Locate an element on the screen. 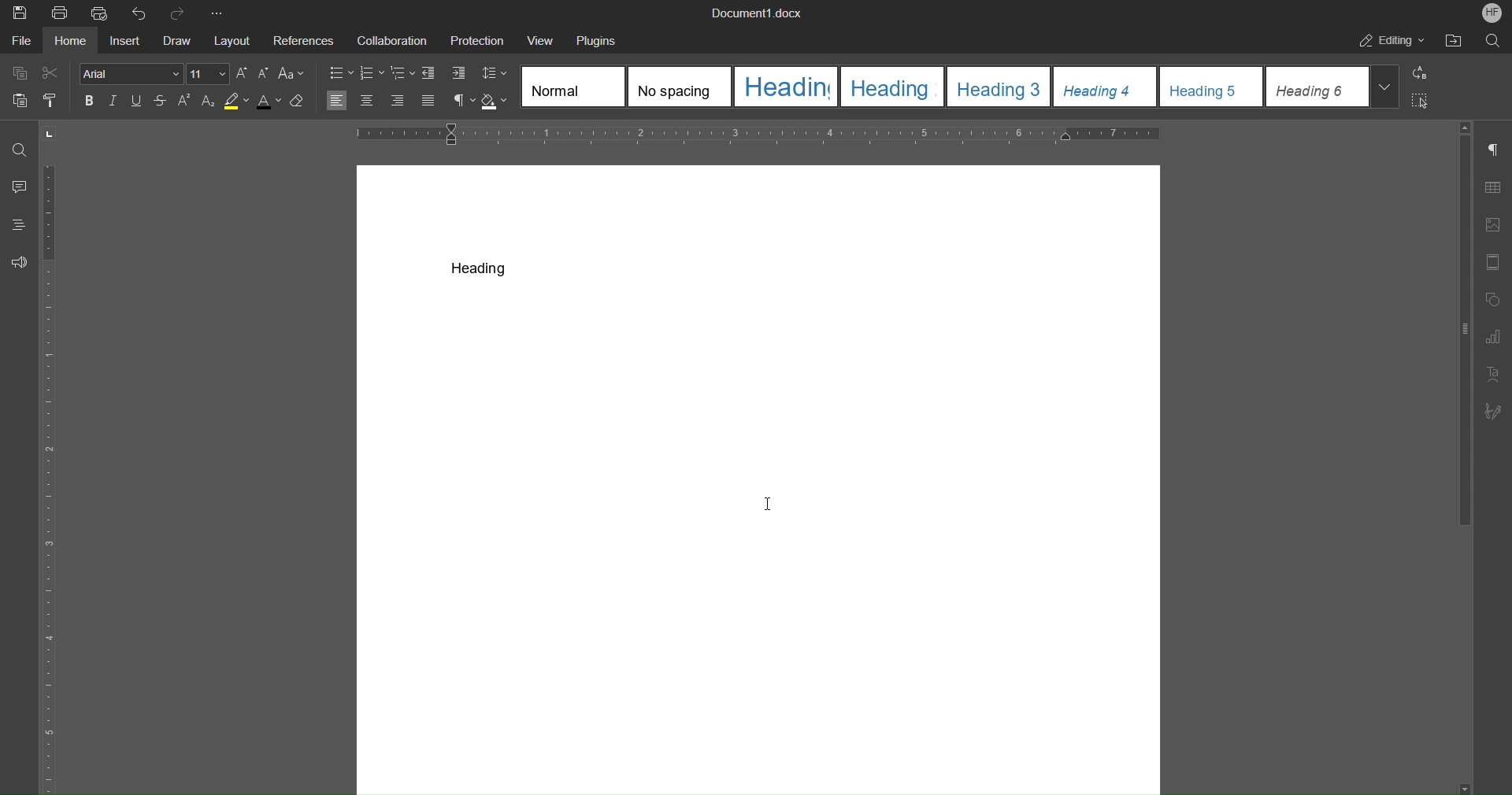 The height and width of the screenshot is (795, 1512). Highlight is located at coordinates (236, 104).